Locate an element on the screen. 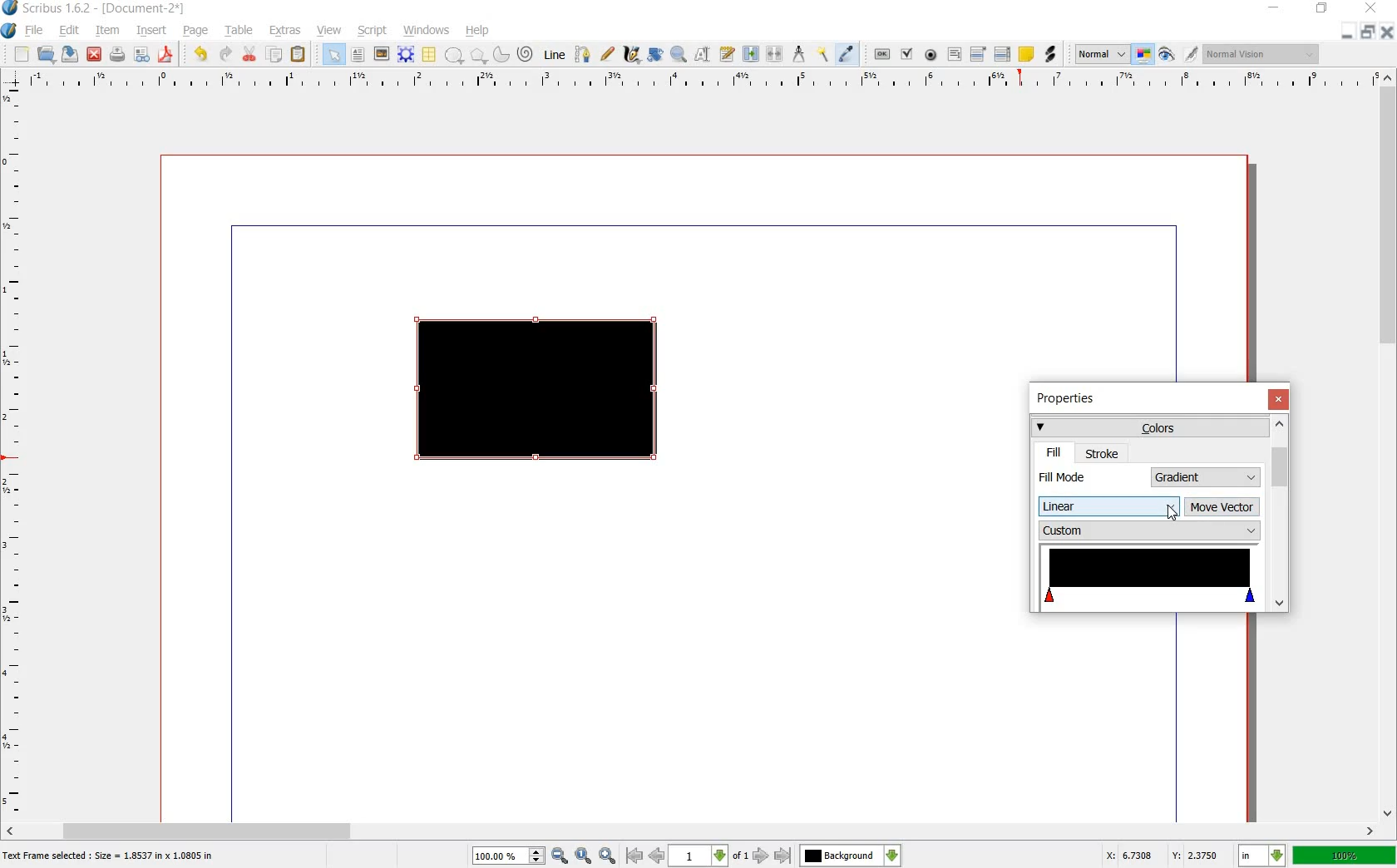 The width and height of the screenshot is (1397, 868). pdf radio button is located at coordinates (931, 55).